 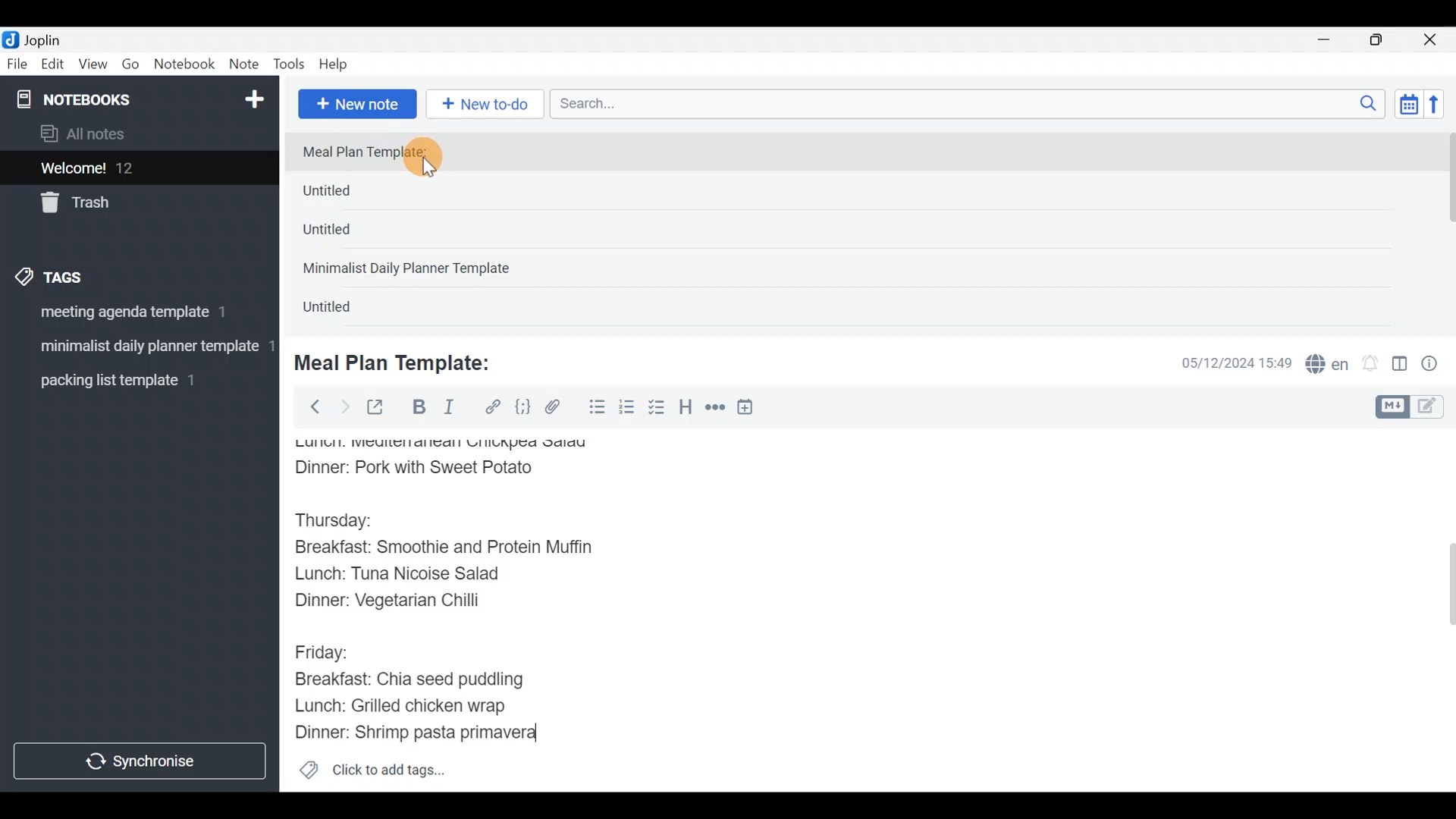 What do you see at coordinates (52, 38) in the screenshot?
I see `Joplin` at bounding box center [52, 38].